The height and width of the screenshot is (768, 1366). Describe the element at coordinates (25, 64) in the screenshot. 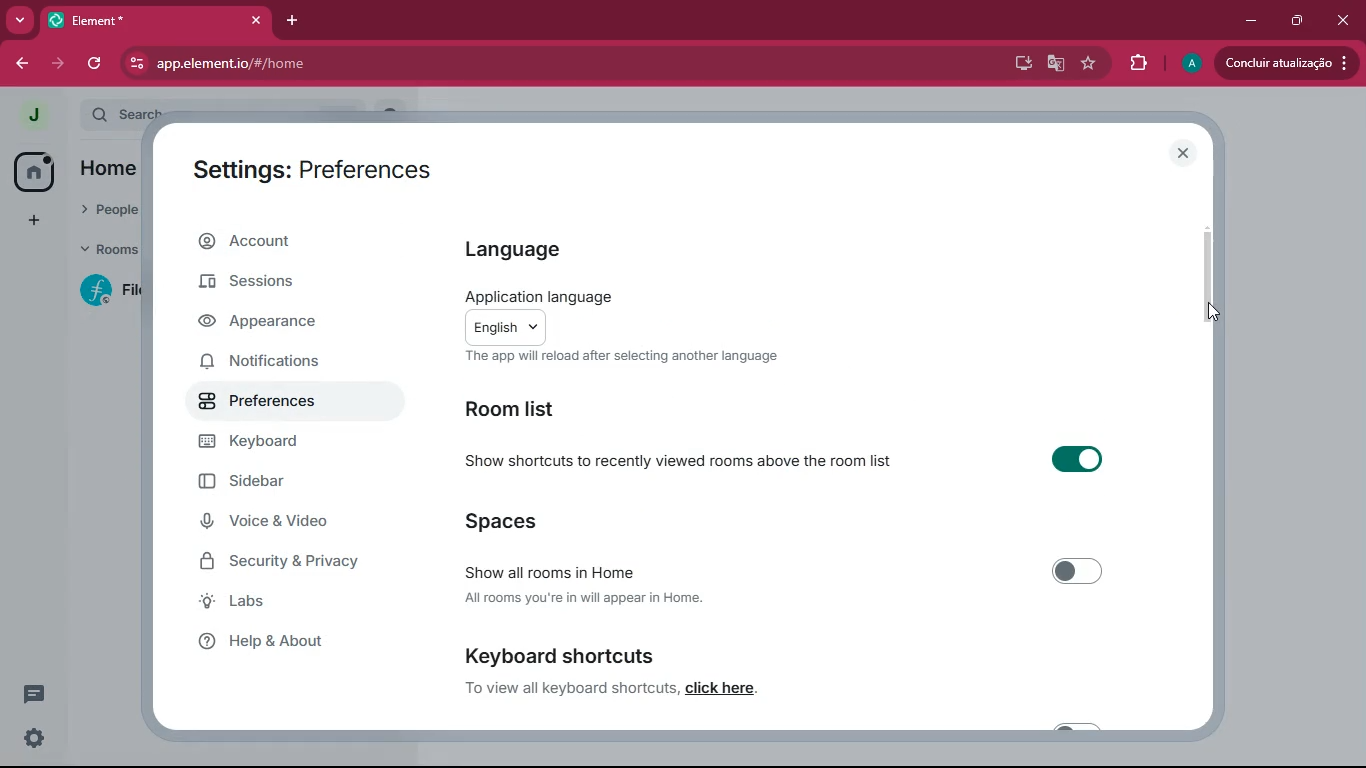

I see `back` at that location.